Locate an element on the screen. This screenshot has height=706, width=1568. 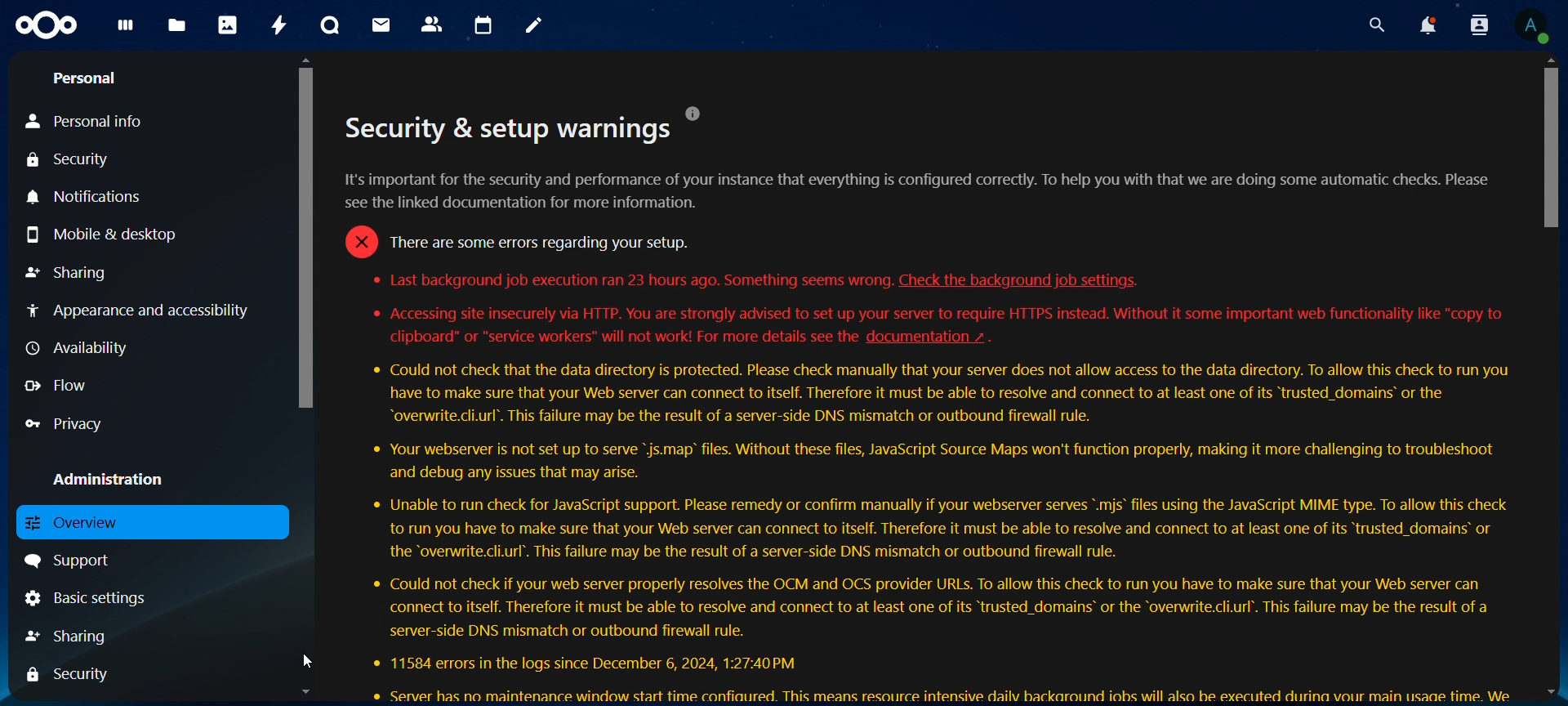
contacts is located at coordinates (432, 26).